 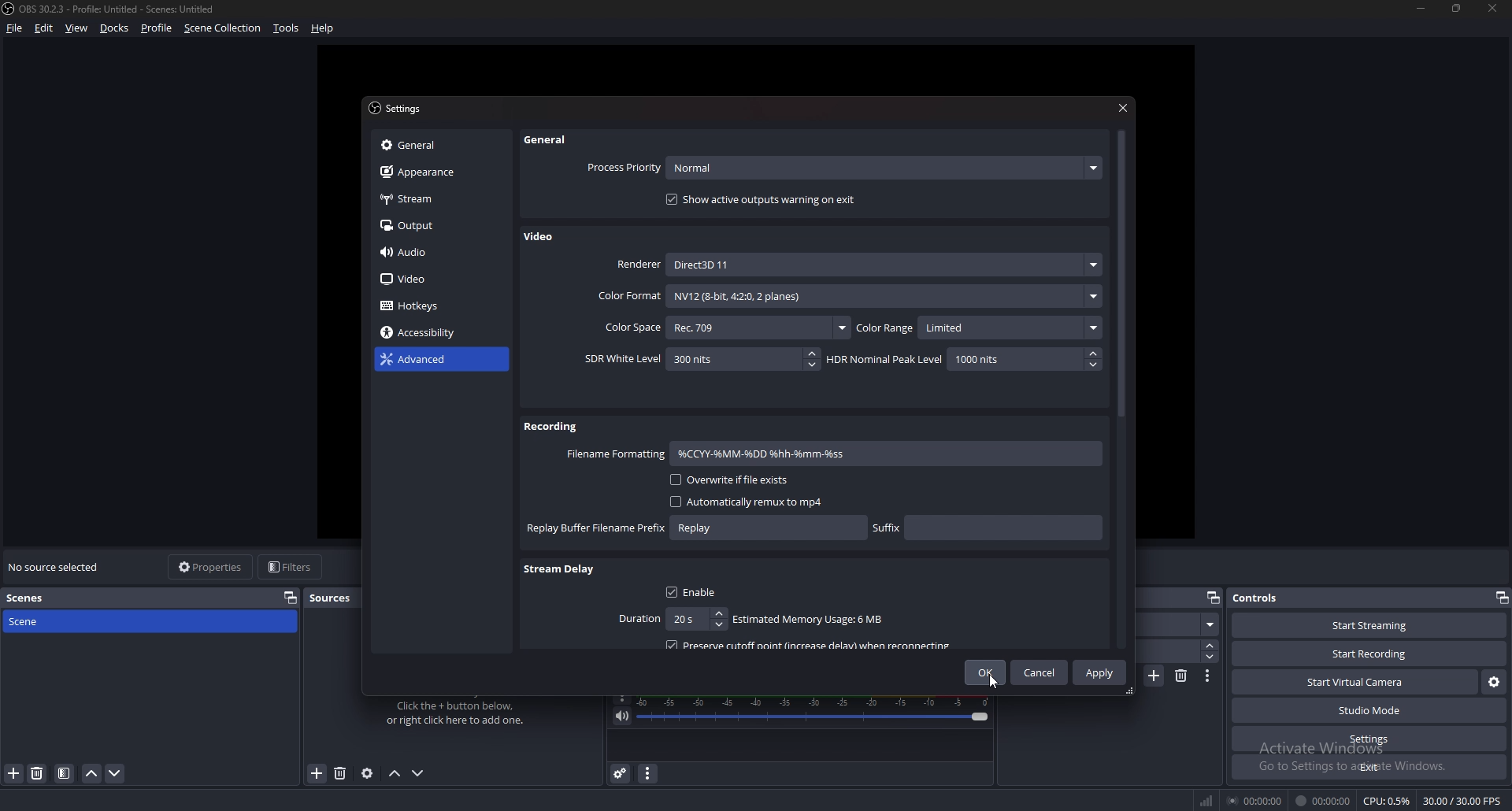 I want to click on %CCYY-%MM-%DD %hh-%mm-%ss, so click(x=799, y=454).